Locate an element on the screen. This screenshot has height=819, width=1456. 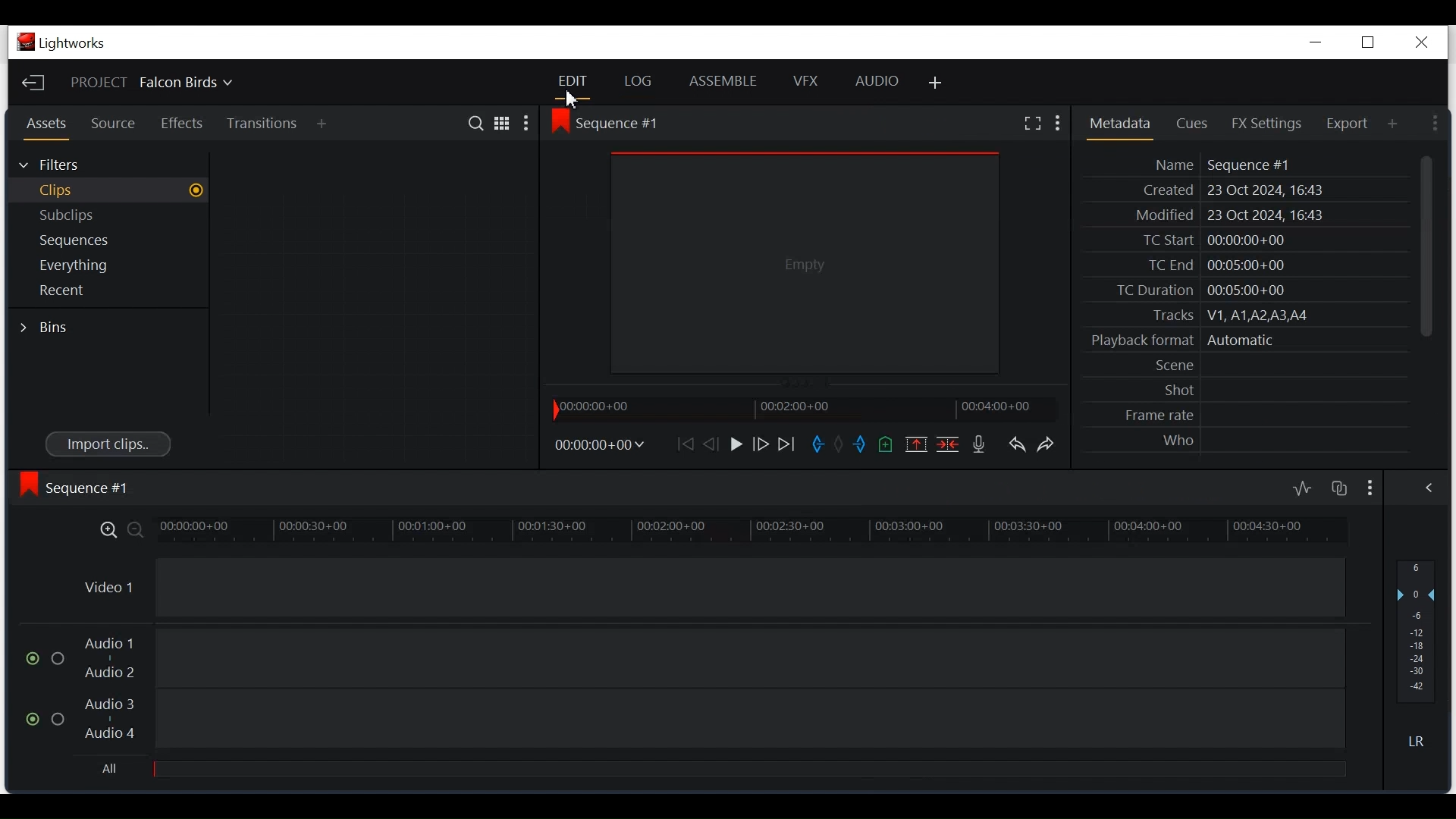
Effects is located at coordinates (181, 122).